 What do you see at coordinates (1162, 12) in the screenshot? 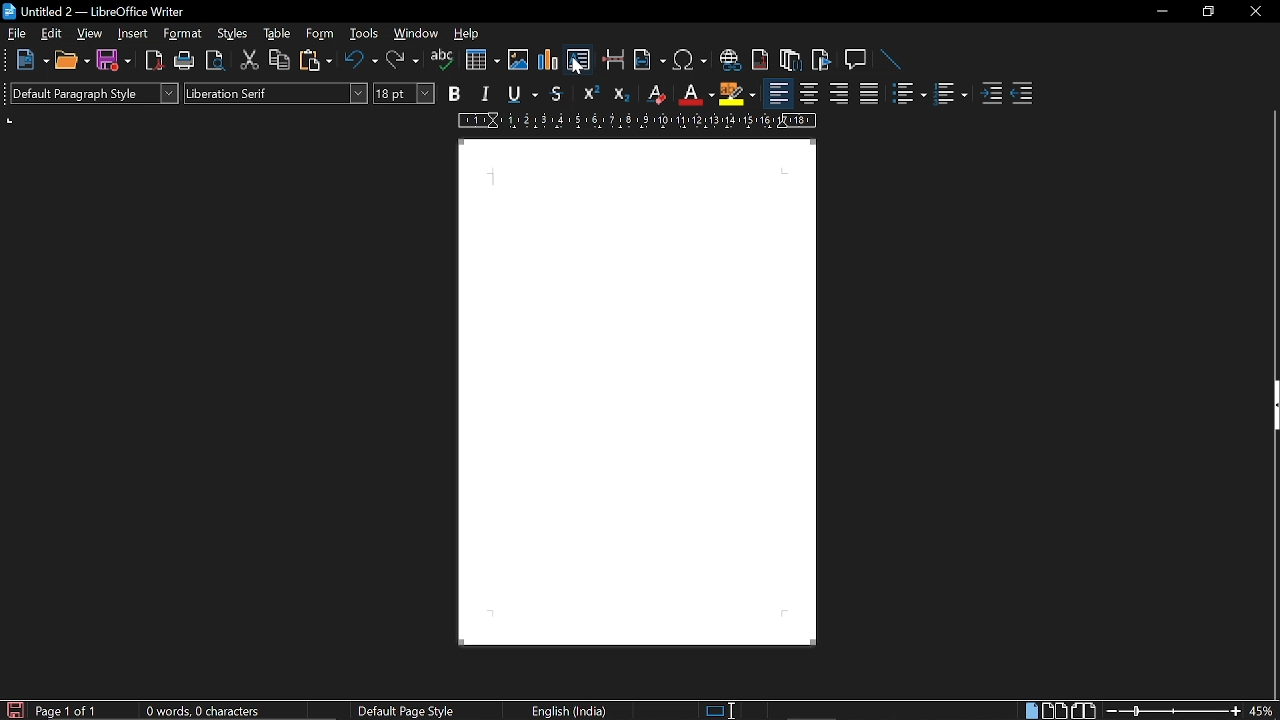
I see `minimize` at bounding box center [1162, 12].